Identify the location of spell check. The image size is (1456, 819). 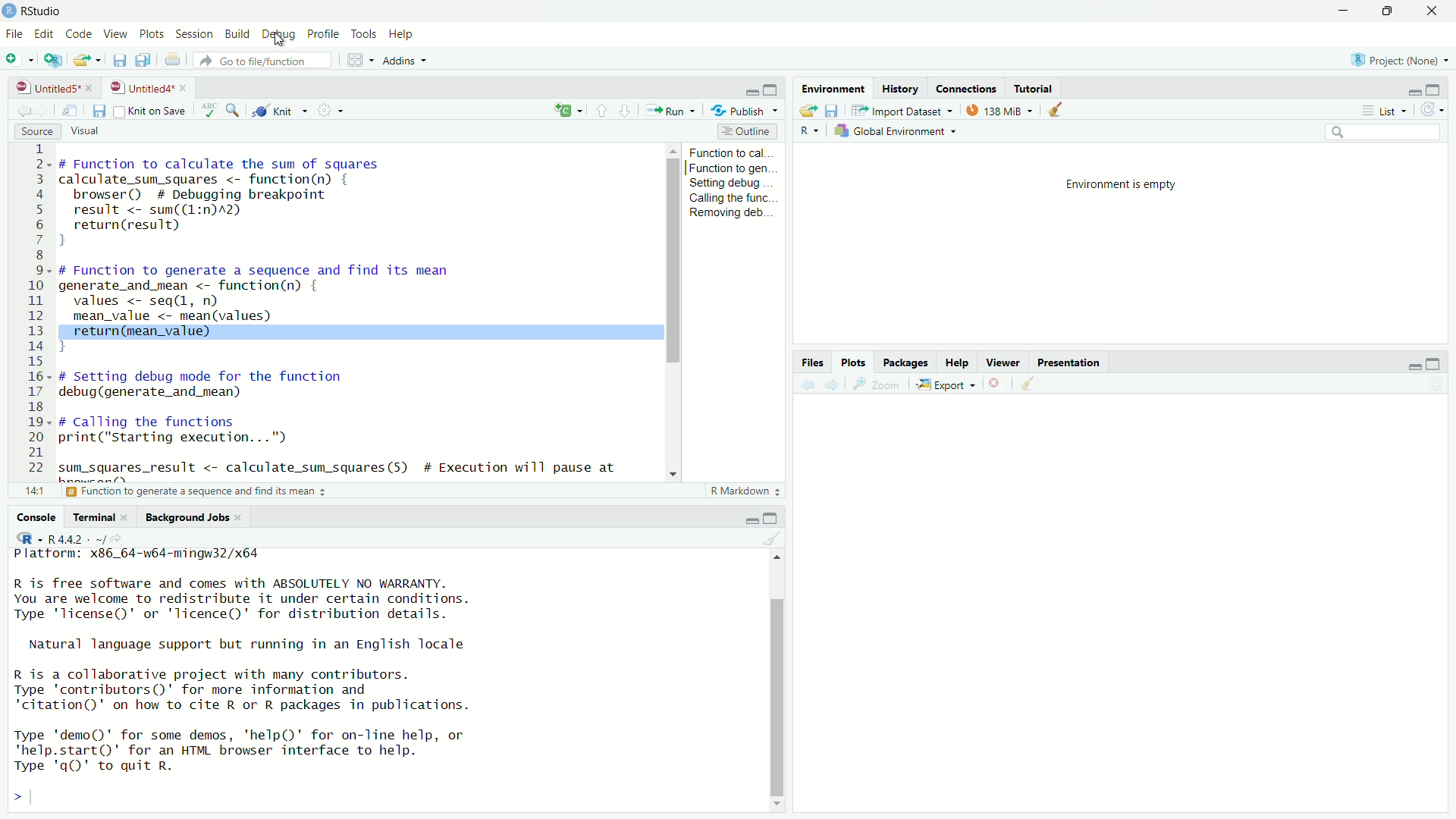
(206, 111).